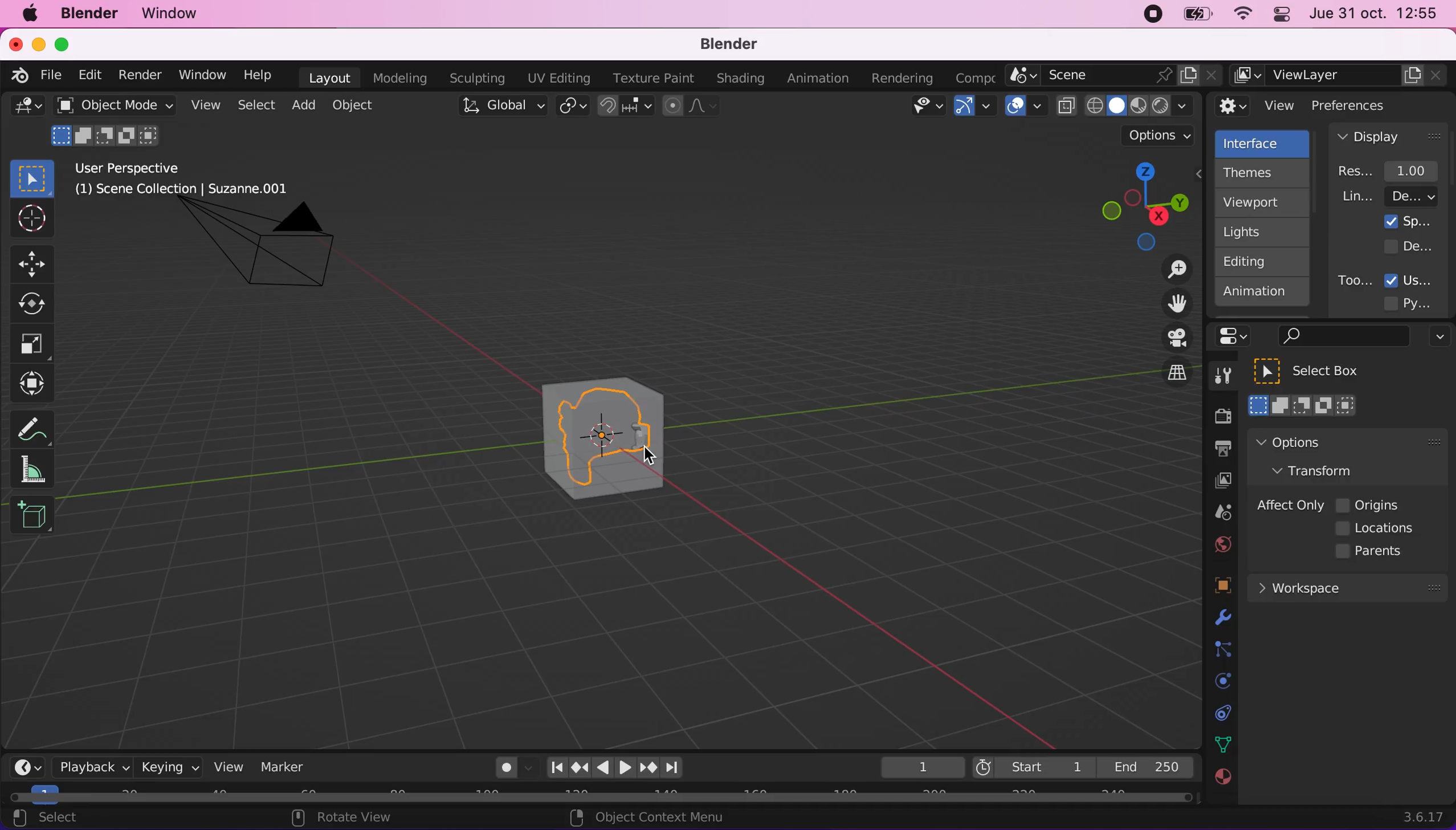 The height and width of the screenshot is (830, 1456). What do you see at coordinates (903, 79) in the screenshot?
I see `rendering` at bounding box center [903, 79].